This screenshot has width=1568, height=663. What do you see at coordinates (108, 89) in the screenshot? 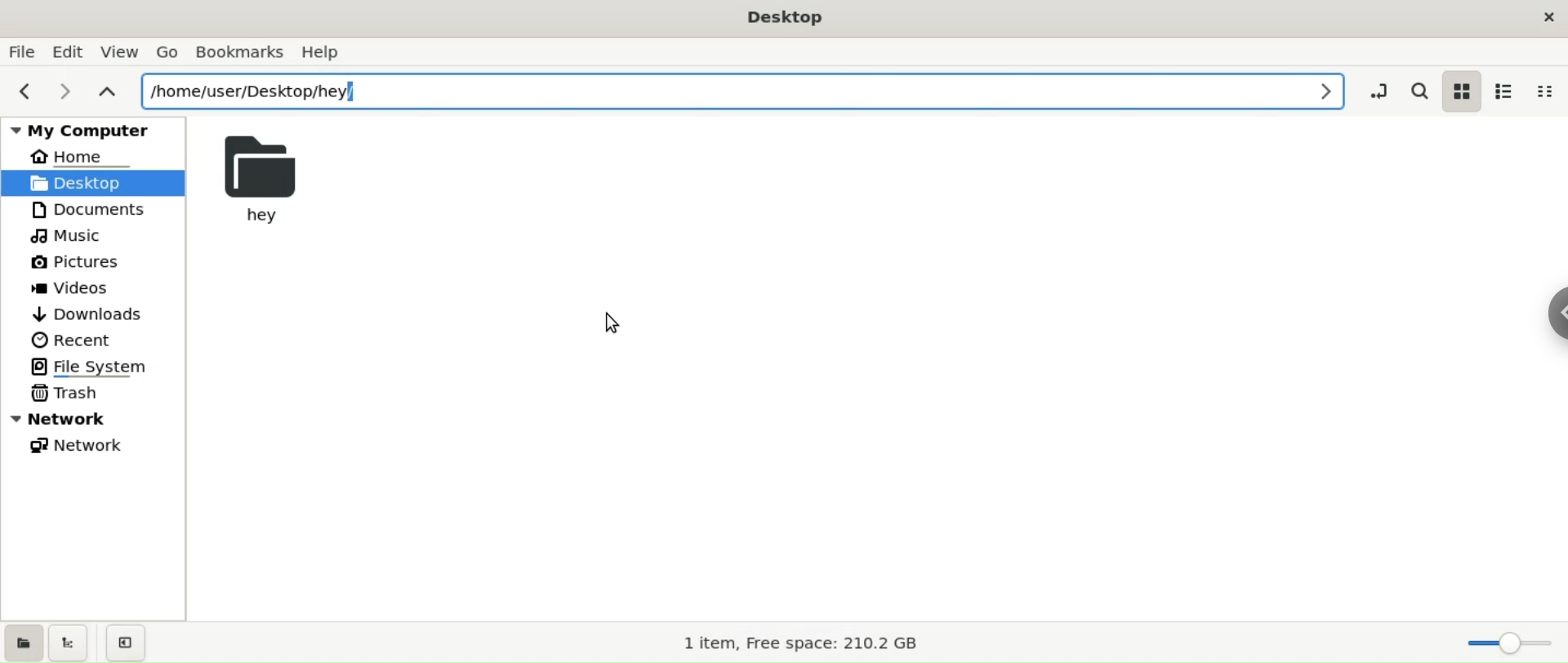
I see `parent folders` at bounding box center [108, 89].